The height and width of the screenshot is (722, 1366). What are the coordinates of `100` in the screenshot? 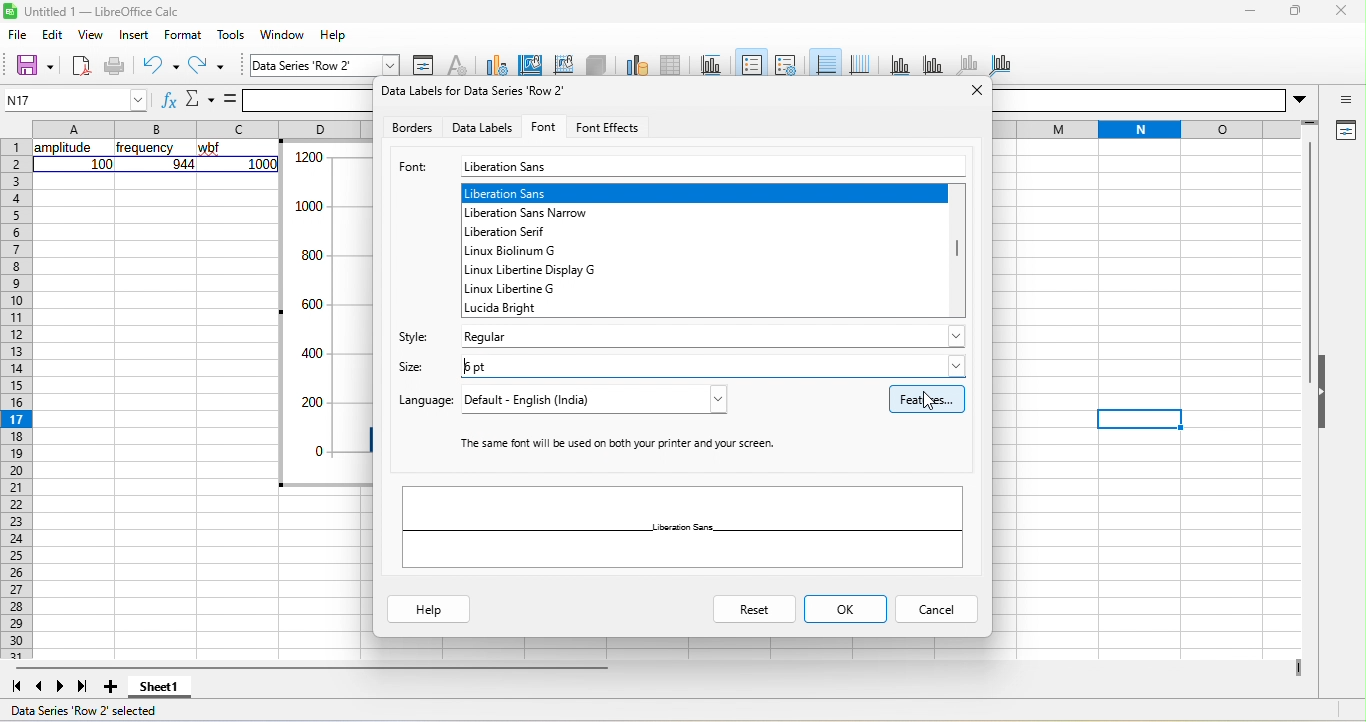 It's located at (102, 164).